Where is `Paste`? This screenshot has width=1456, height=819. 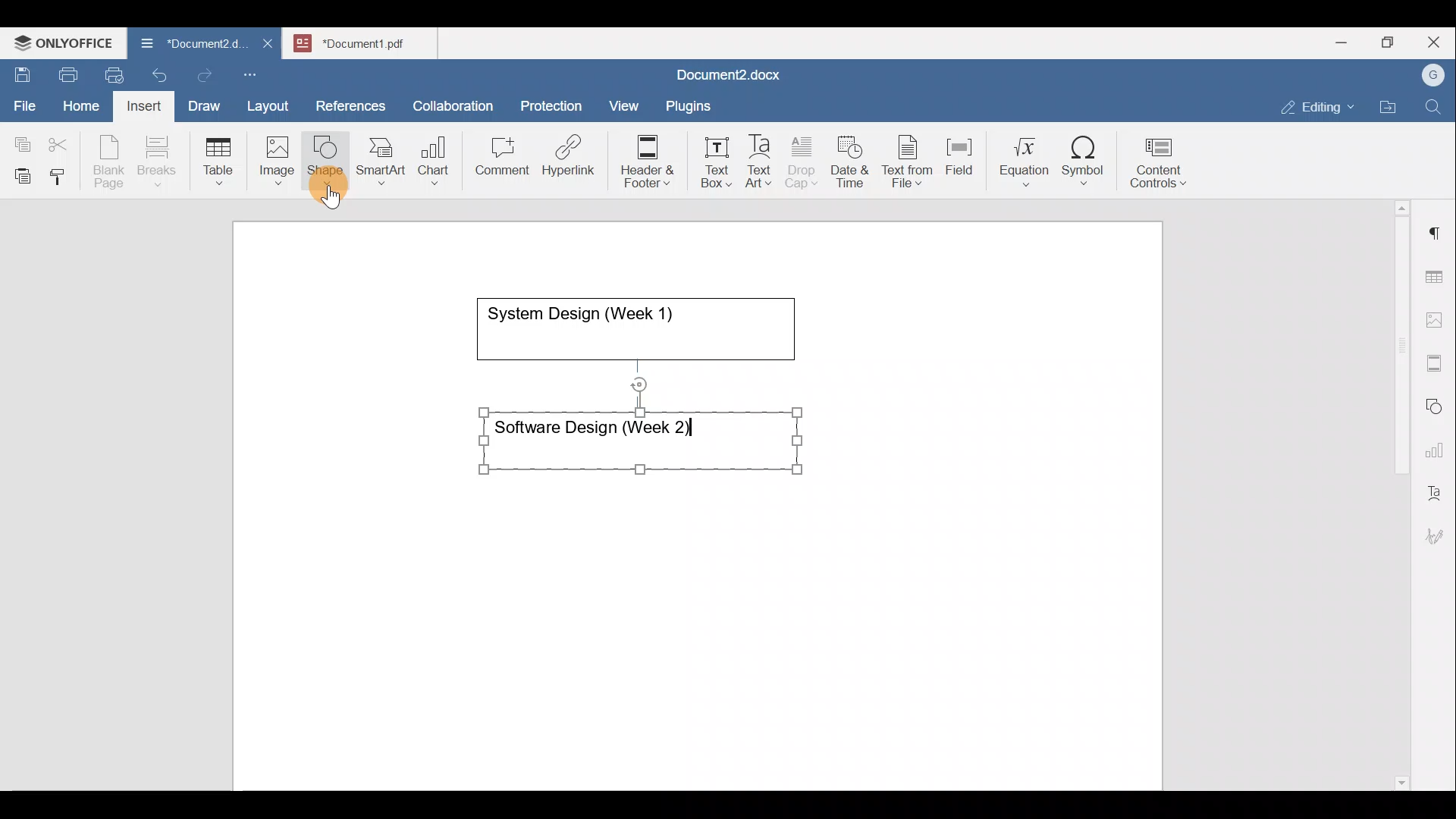
Paste is located at coordinates (19, 172).